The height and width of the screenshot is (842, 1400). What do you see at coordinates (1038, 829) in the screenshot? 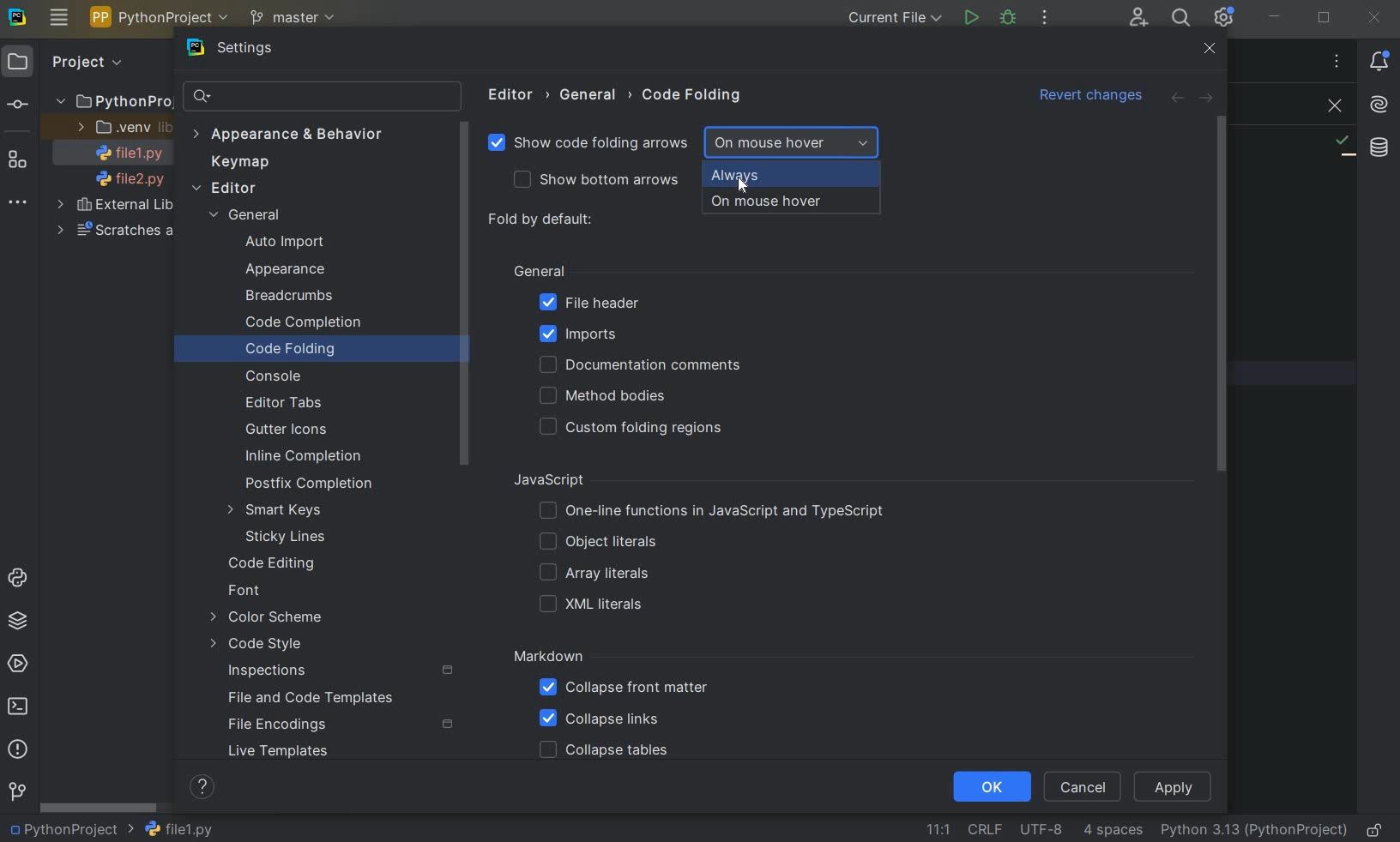
I see `FILE ENCODING` at bounding box center [1038, 829].